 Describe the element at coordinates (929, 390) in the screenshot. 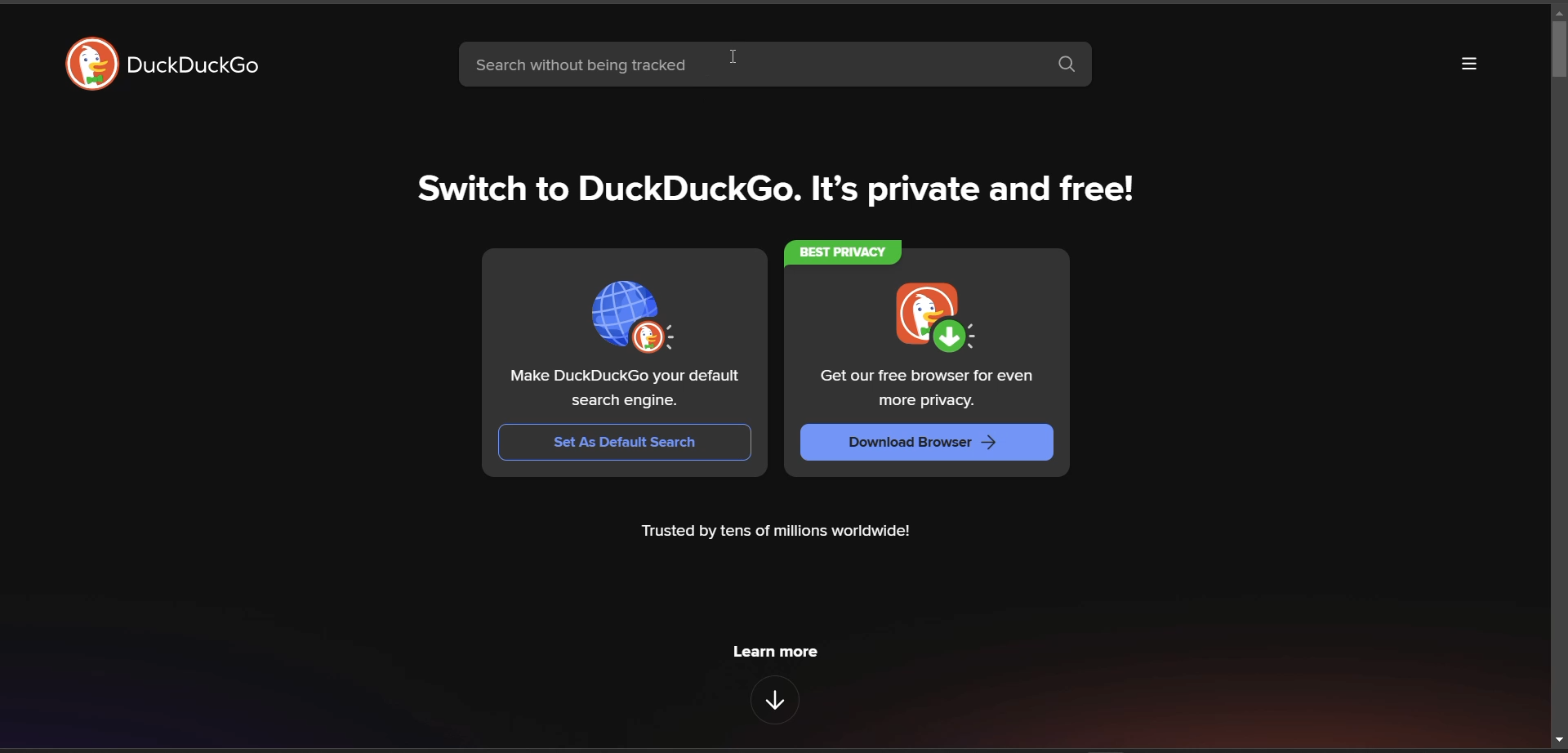

I see `Get our free browser for even
more privacy.` at that location.